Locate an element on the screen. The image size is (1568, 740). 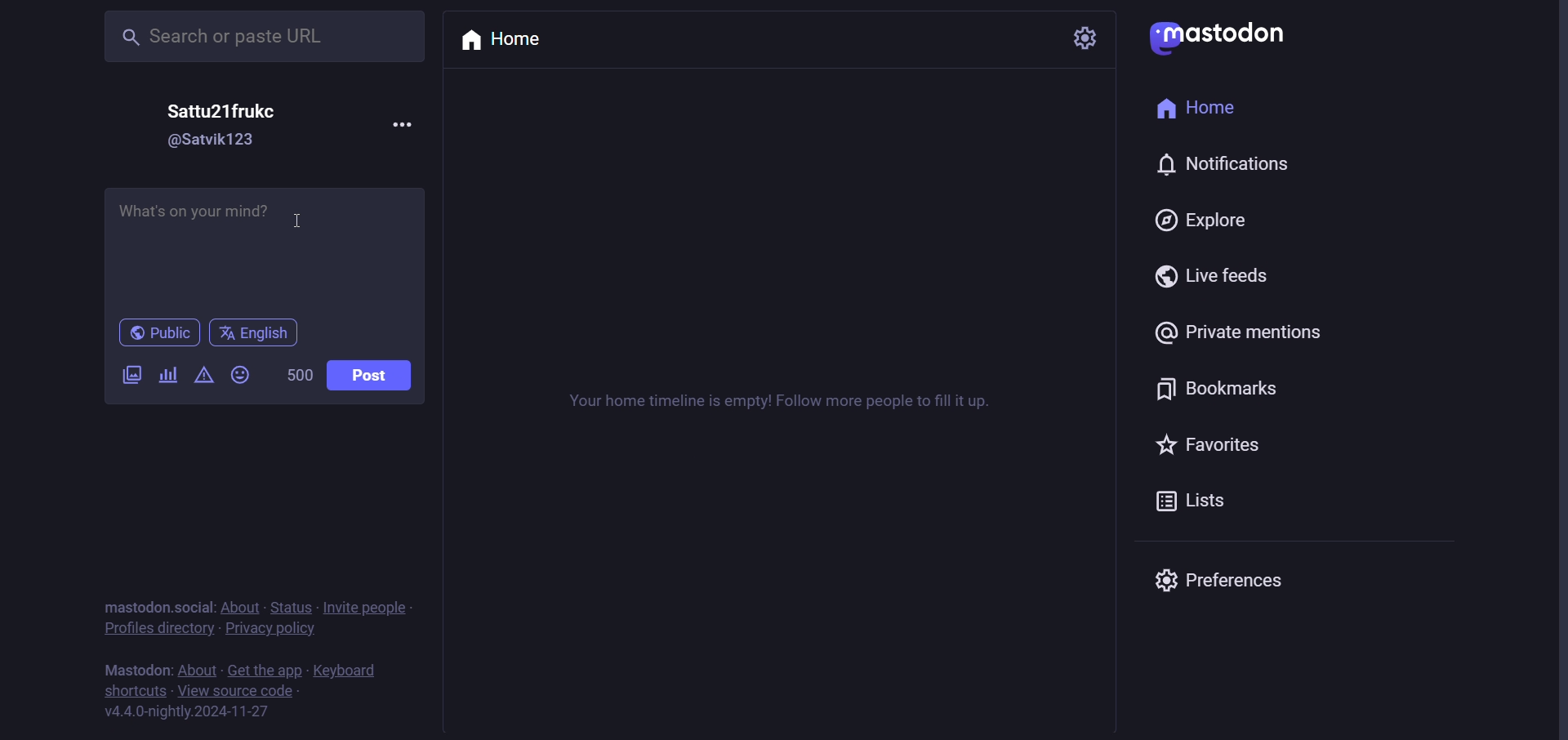
get the app is located at coordinates (264, 671).